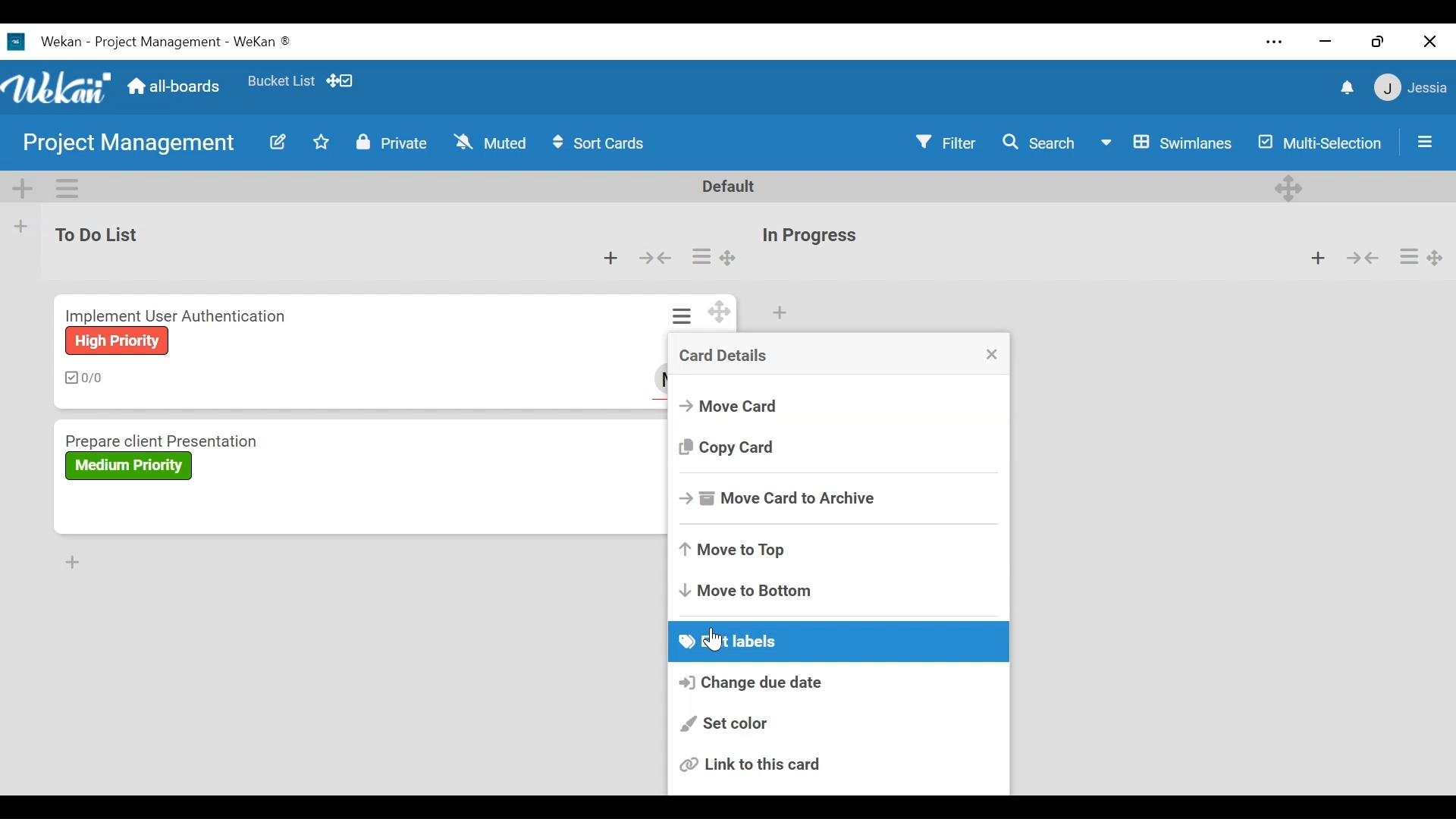 The width and height of the screenshot is (1456, 819). What do you see at coordinates (835, 447) in the screenshot?
I see `Copy Card` at bounding box center [835, 447].